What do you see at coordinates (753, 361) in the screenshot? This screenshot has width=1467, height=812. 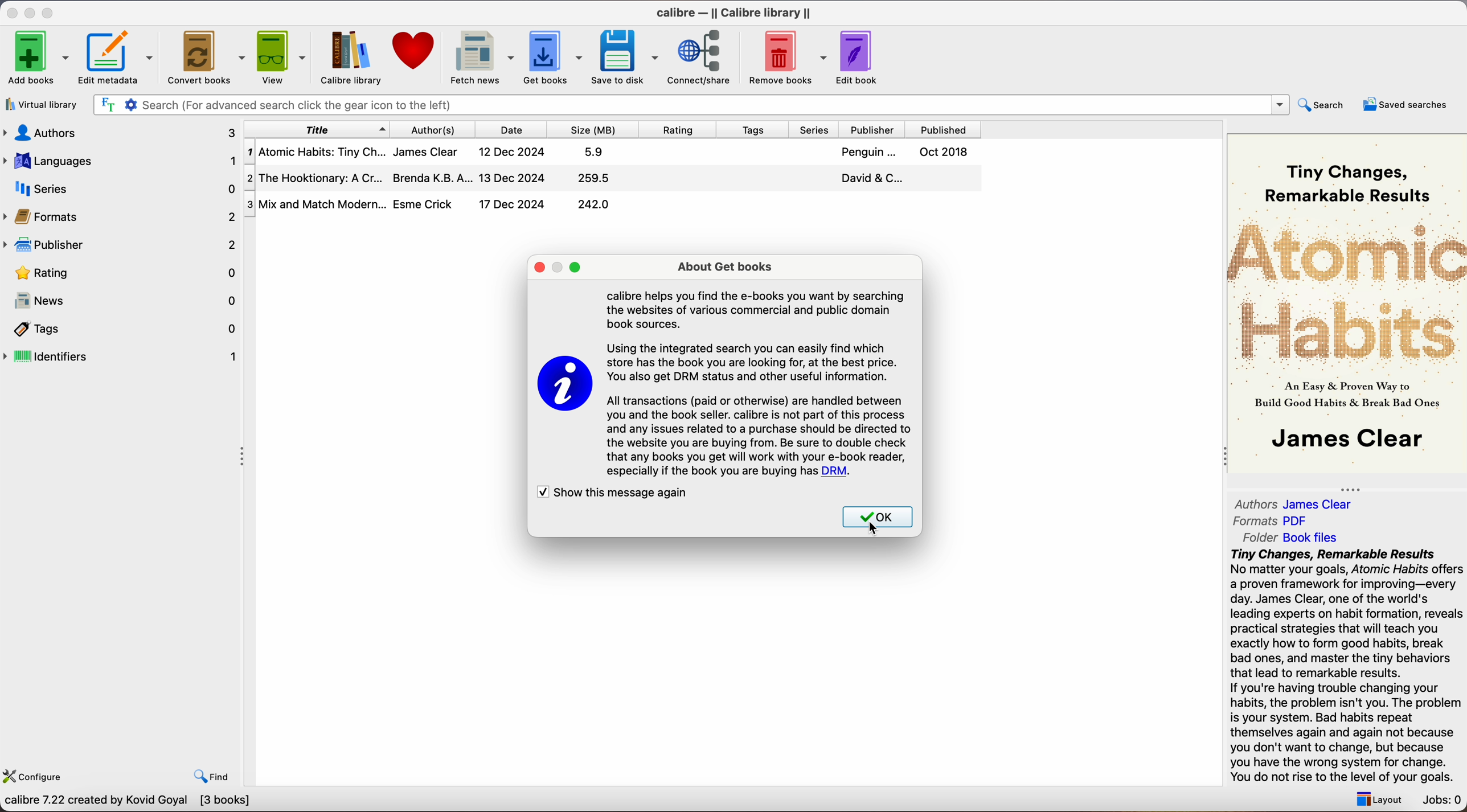 I see `Using the integrated search you can easily find which store has the books you are looking for, at the best price. You also get DRM status and other useful information.` at bounding box center [753, 361].